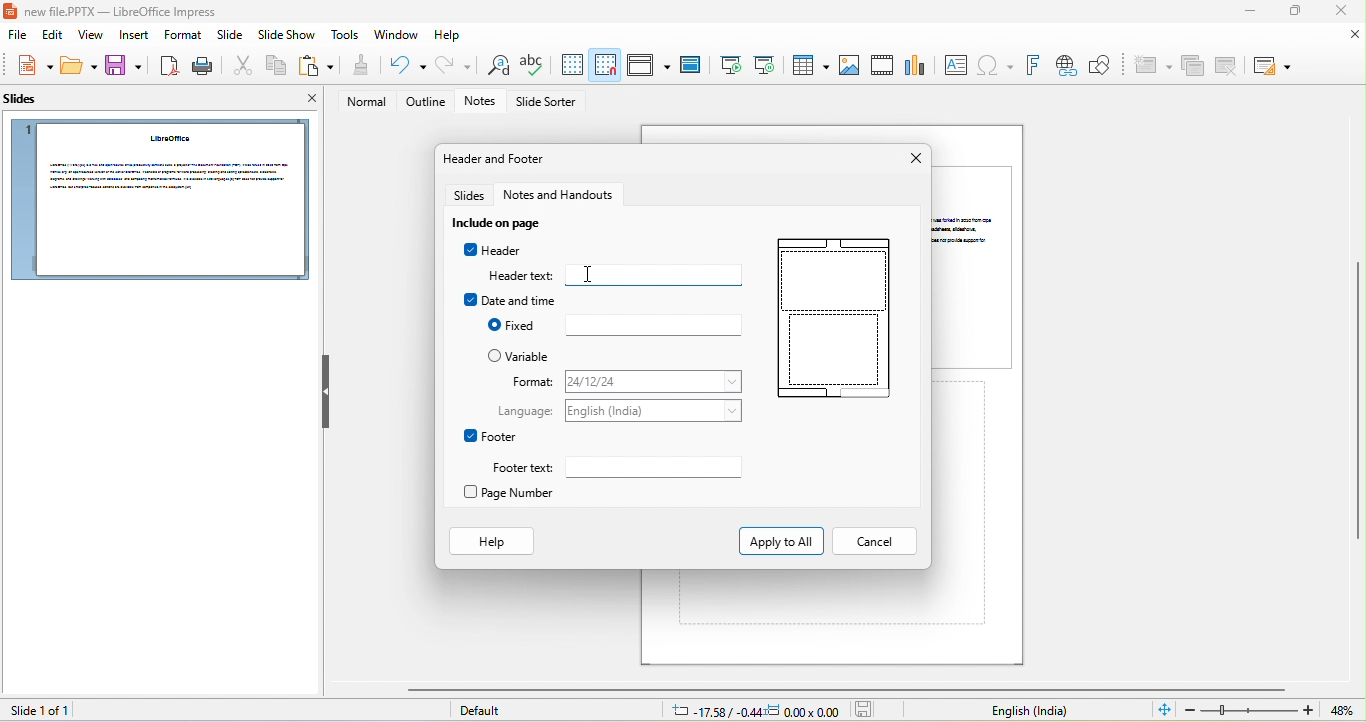  What do you see at coordinates (80, 67) in the screenshot?
I see `open` at bounding box center [80, 67].